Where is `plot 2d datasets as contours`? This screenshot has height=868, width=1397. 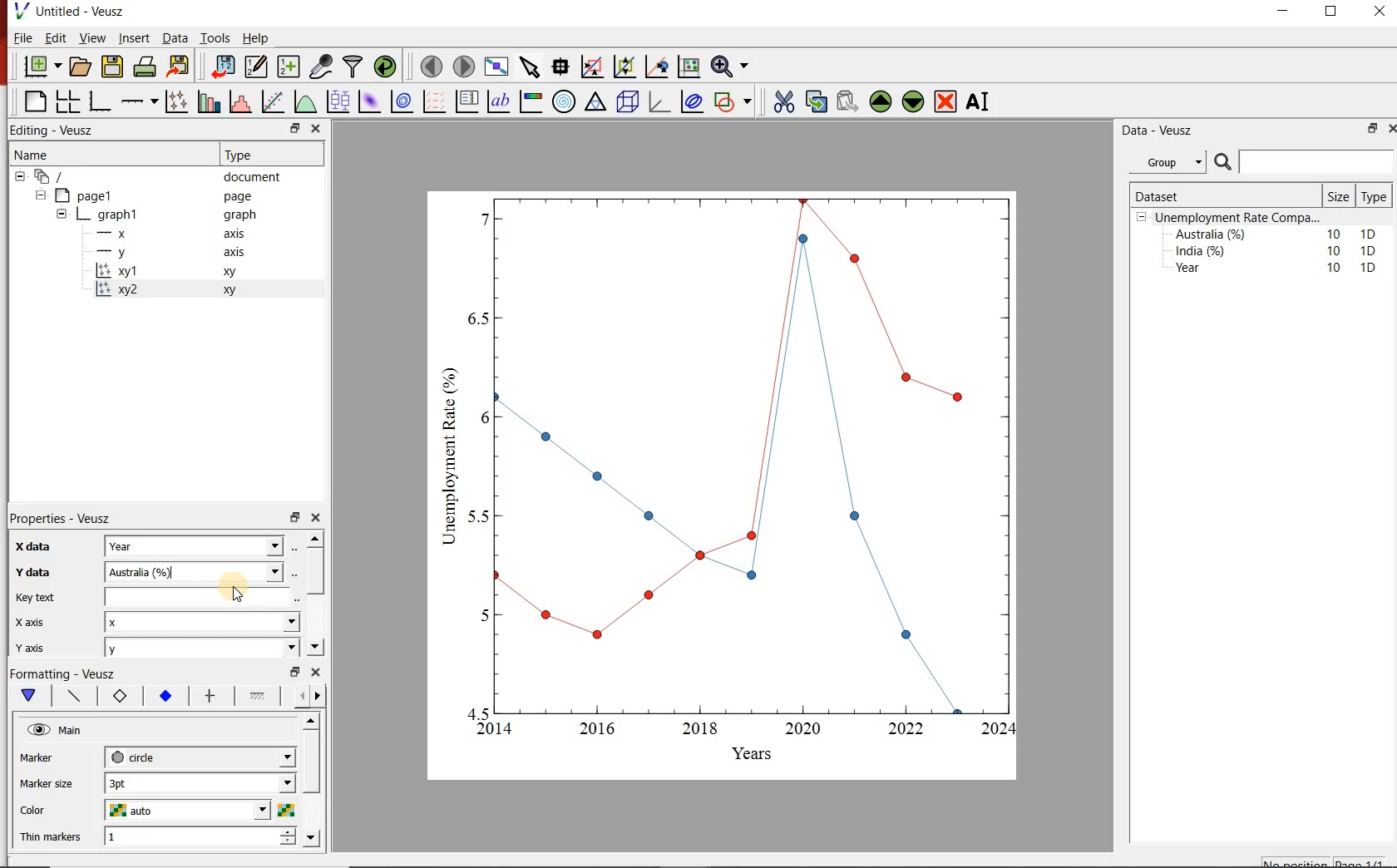 plot 2d datasets as contours is located at coordinates (401, 101).